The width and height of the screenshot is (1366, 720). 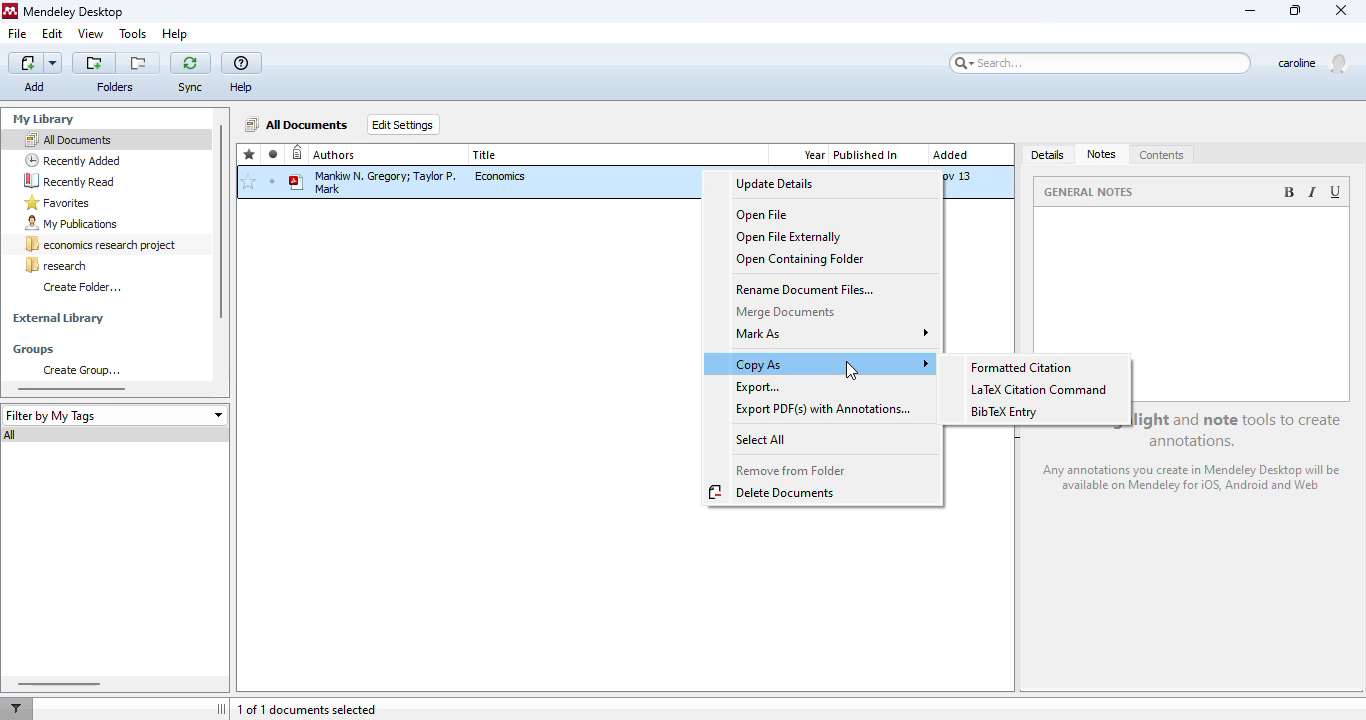 I want to click on maximize, so click(x=1296, y=10).